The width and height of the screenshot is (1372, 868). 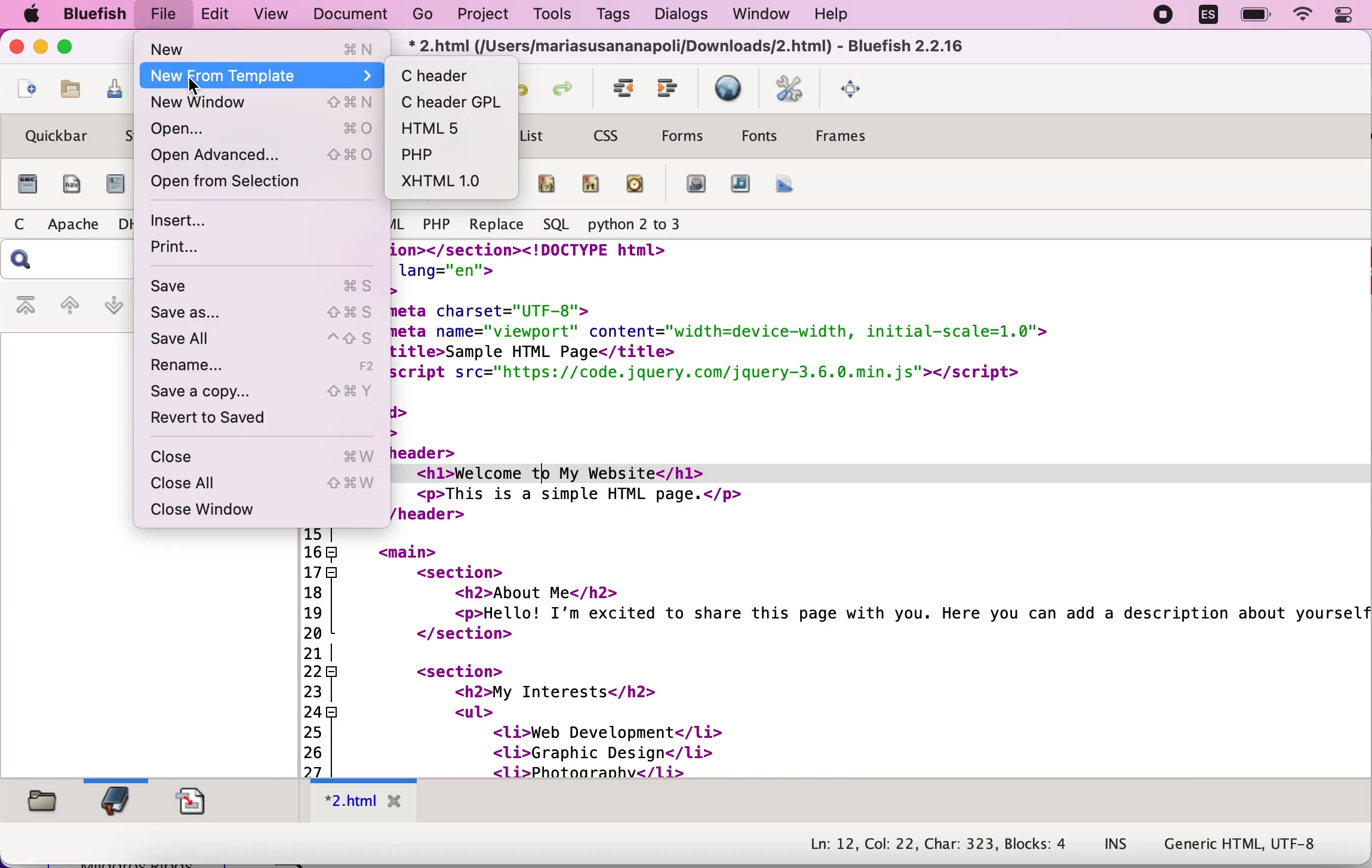 What do you see at coordinates (267, 340) in the screenshot?
I see `save all` at bounding box center [267, 340].